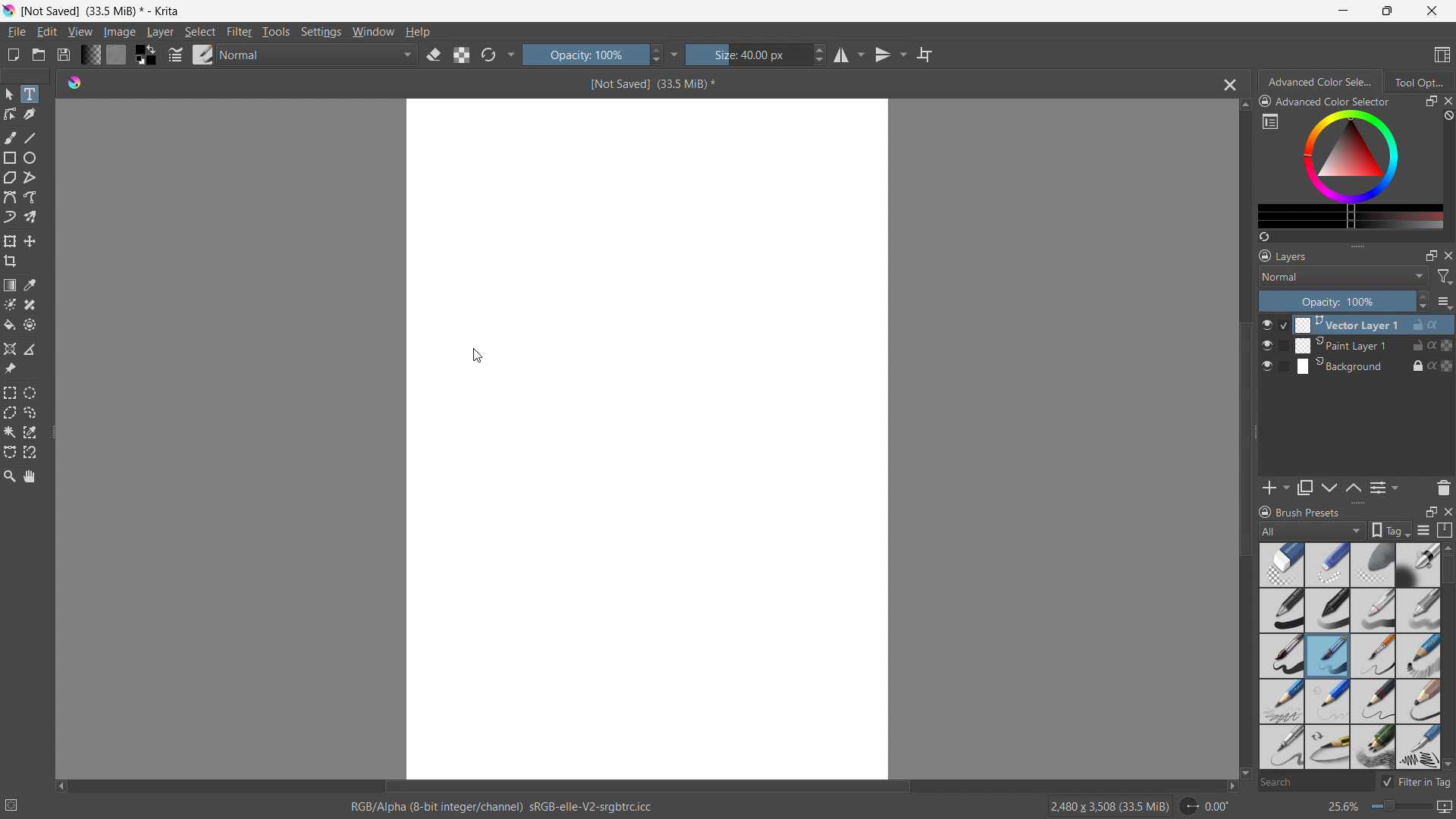 The width and height of the screenshot is (1456, 819). What do you see at coordinates (418, 31) in the screenshot?
I see `help` at bounding box center [418, 31].